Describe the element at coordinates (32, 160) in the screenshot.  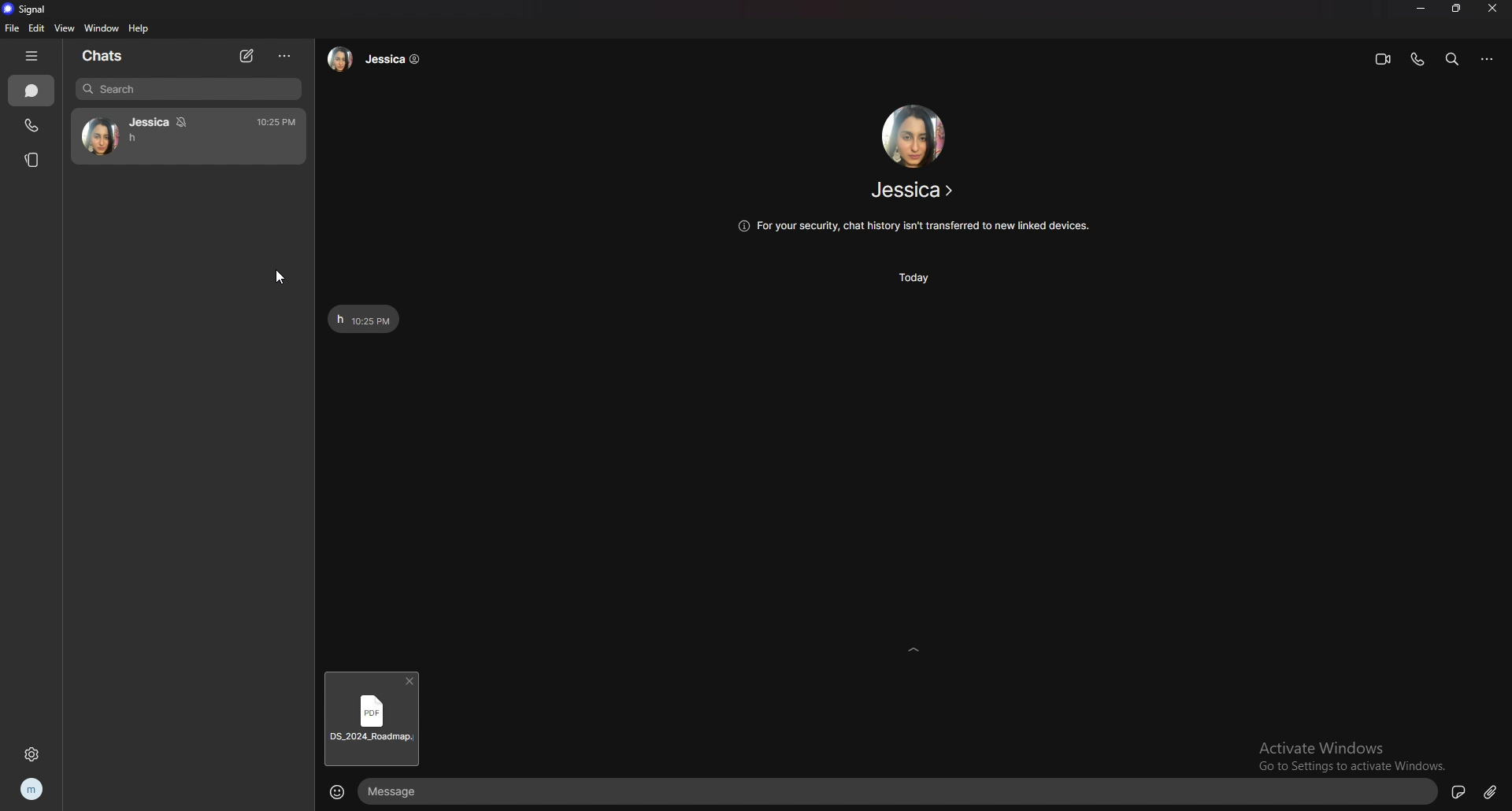
I see `stories` at that location.